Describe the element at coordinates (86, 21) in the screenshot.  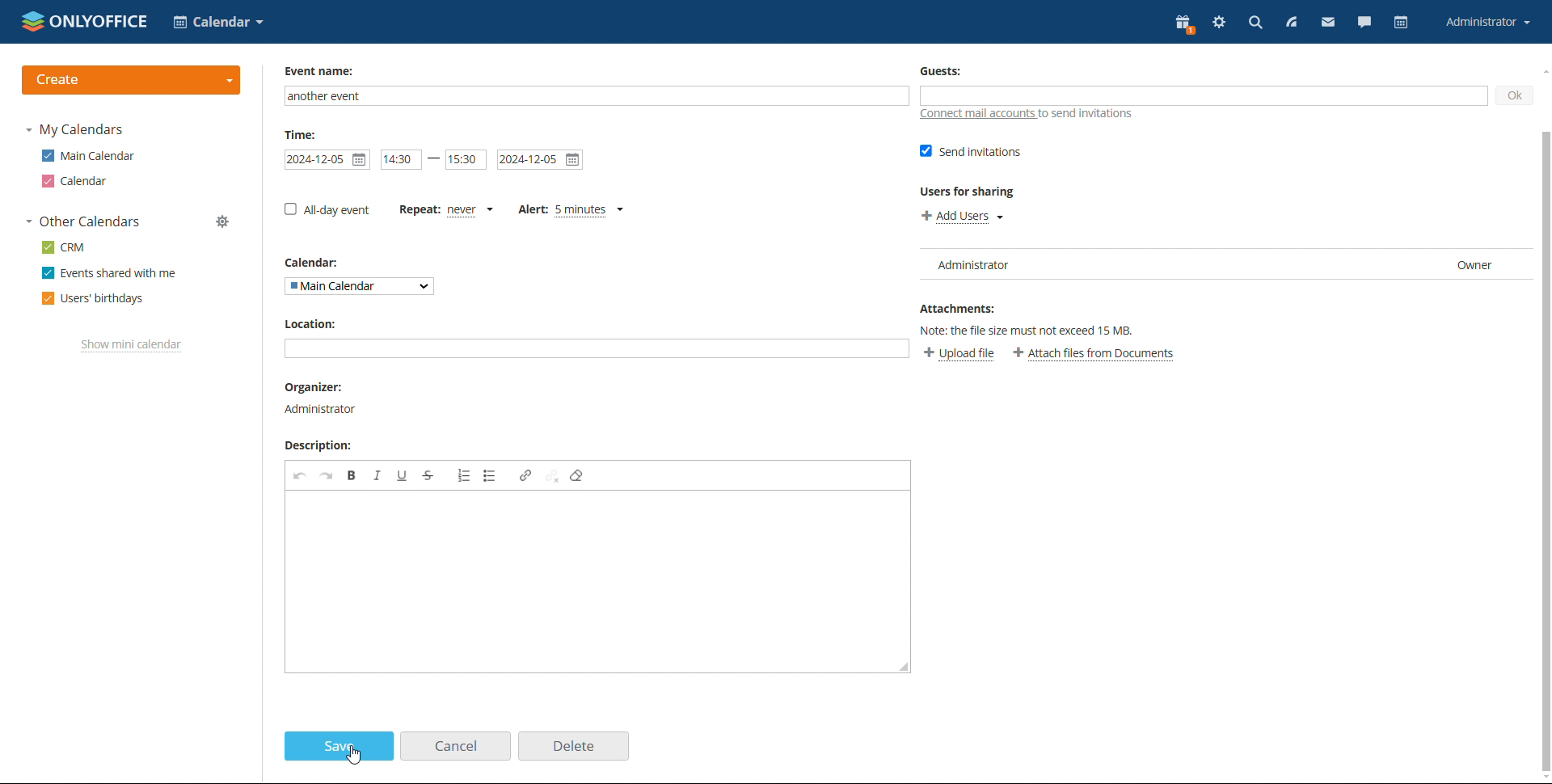
I see `logo` at that location.